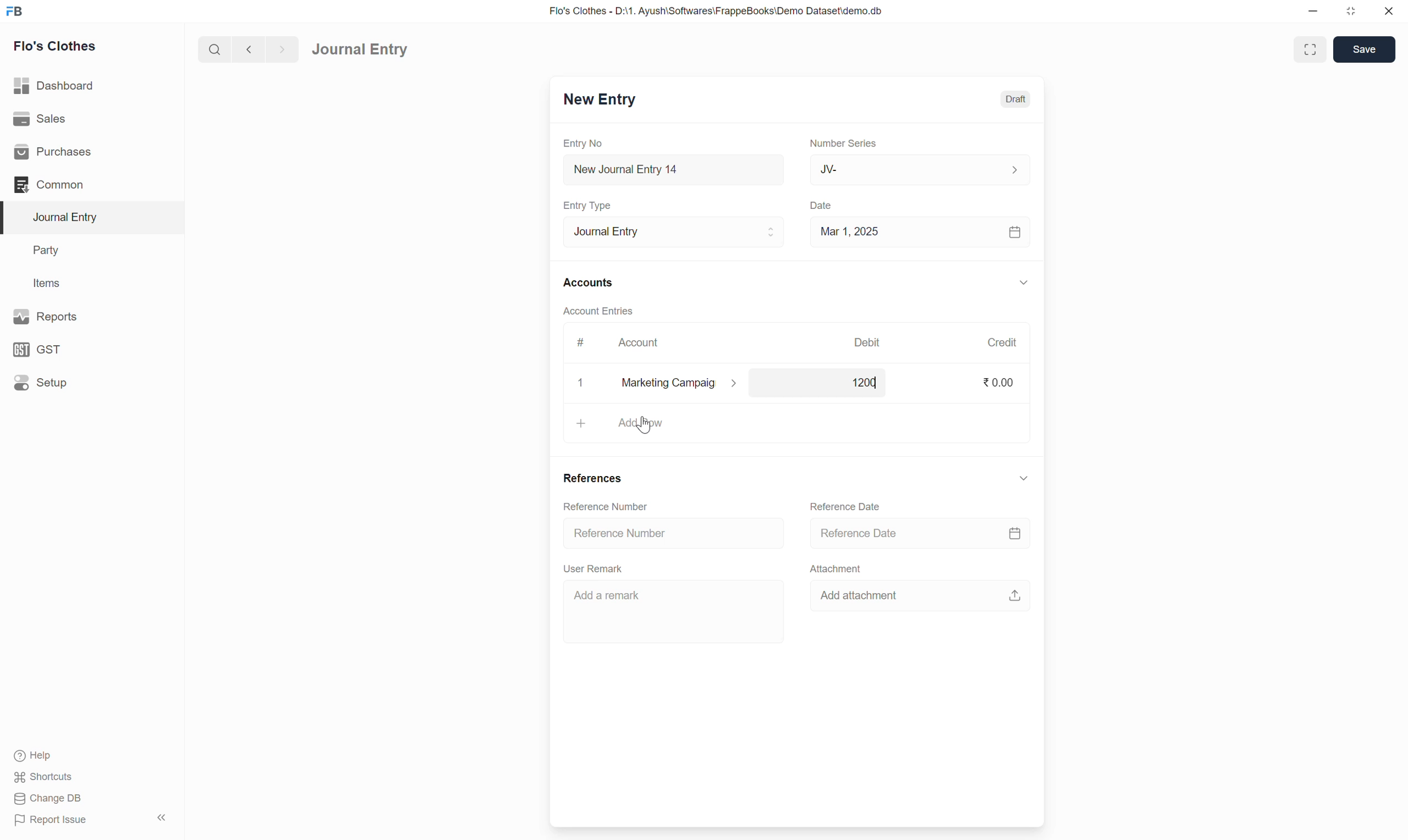  What do you see at coordinates (1022, 284) in the screenshot?
I see `down` at bounding box center [1022, 284].